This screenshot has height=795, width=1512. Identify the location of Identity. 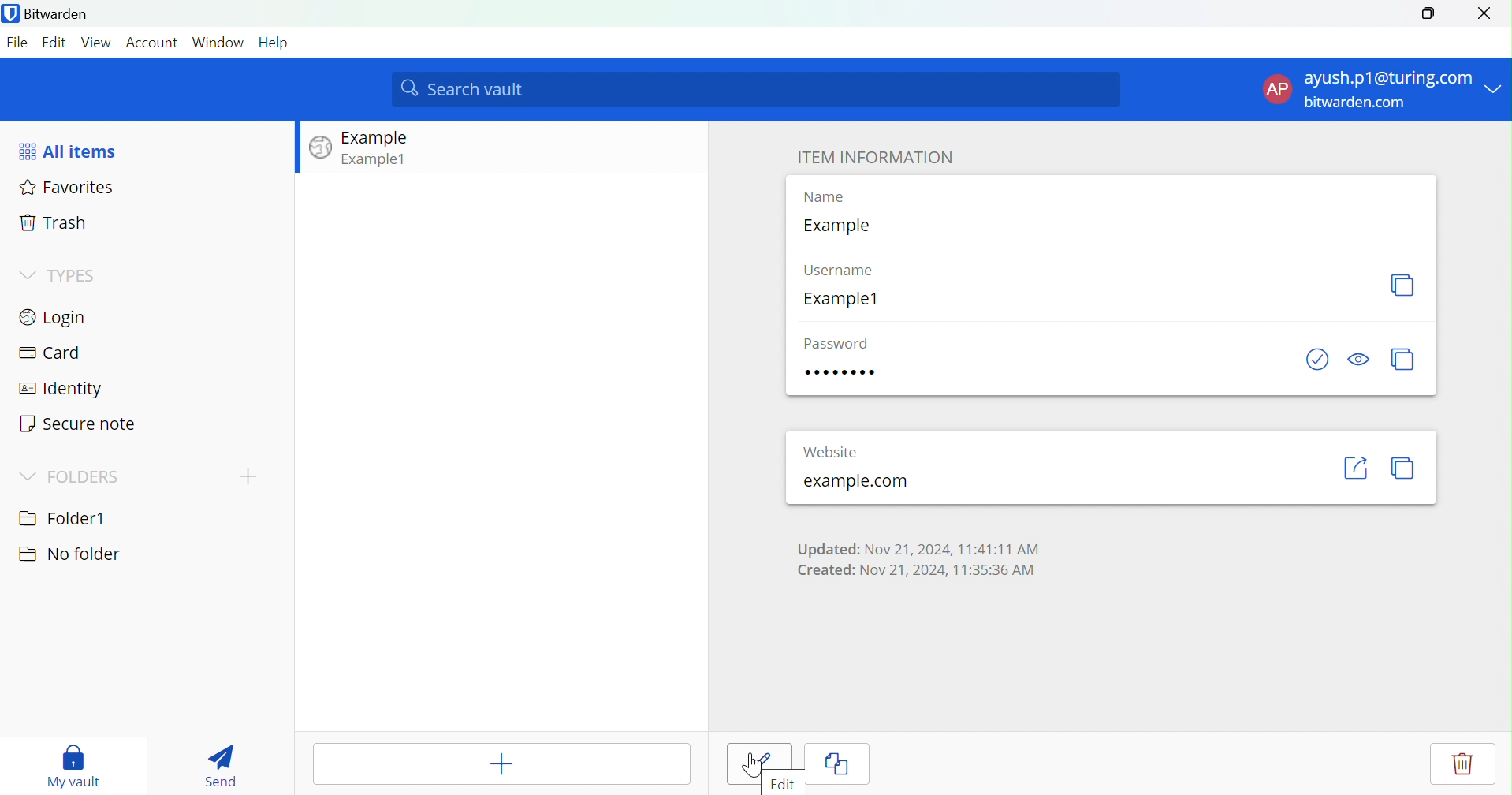
(62, 390).